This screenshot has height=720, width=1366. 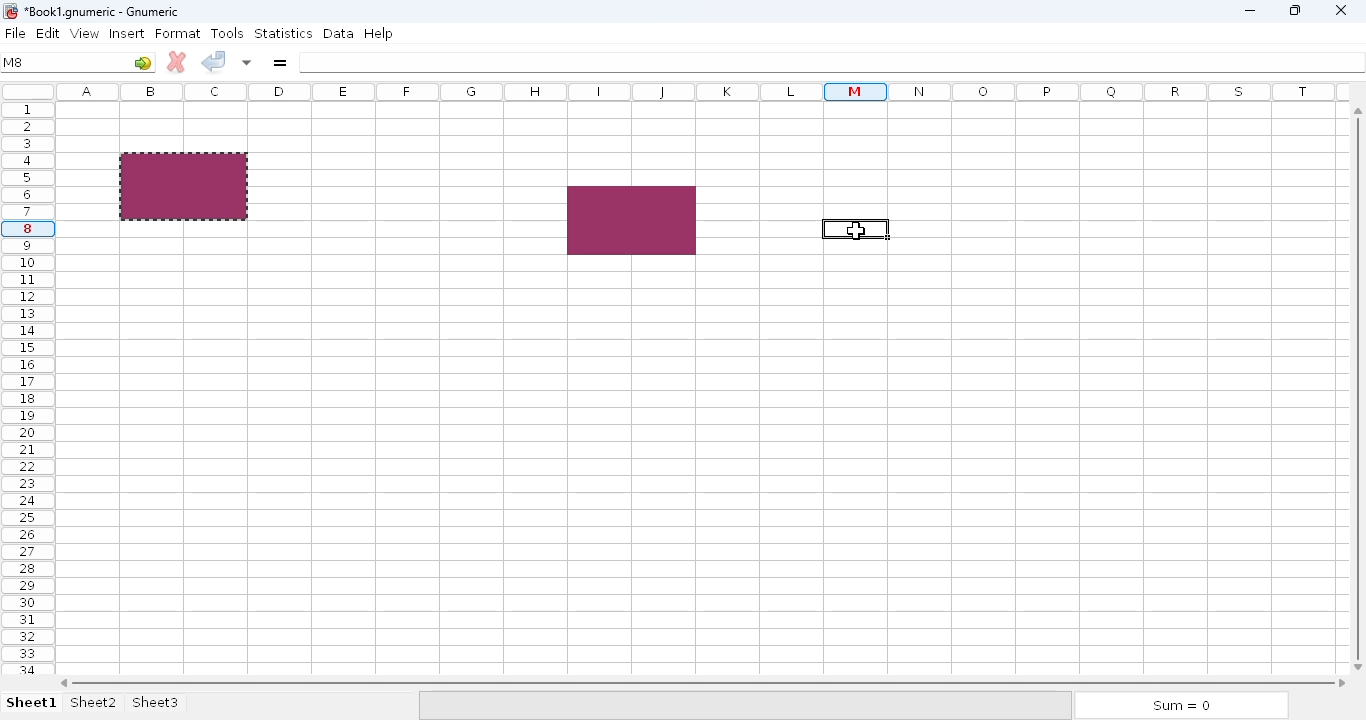 What do you see at coordinates (144, 63) in the screenshot?
I see `go to` at bounding box center [144, 63].